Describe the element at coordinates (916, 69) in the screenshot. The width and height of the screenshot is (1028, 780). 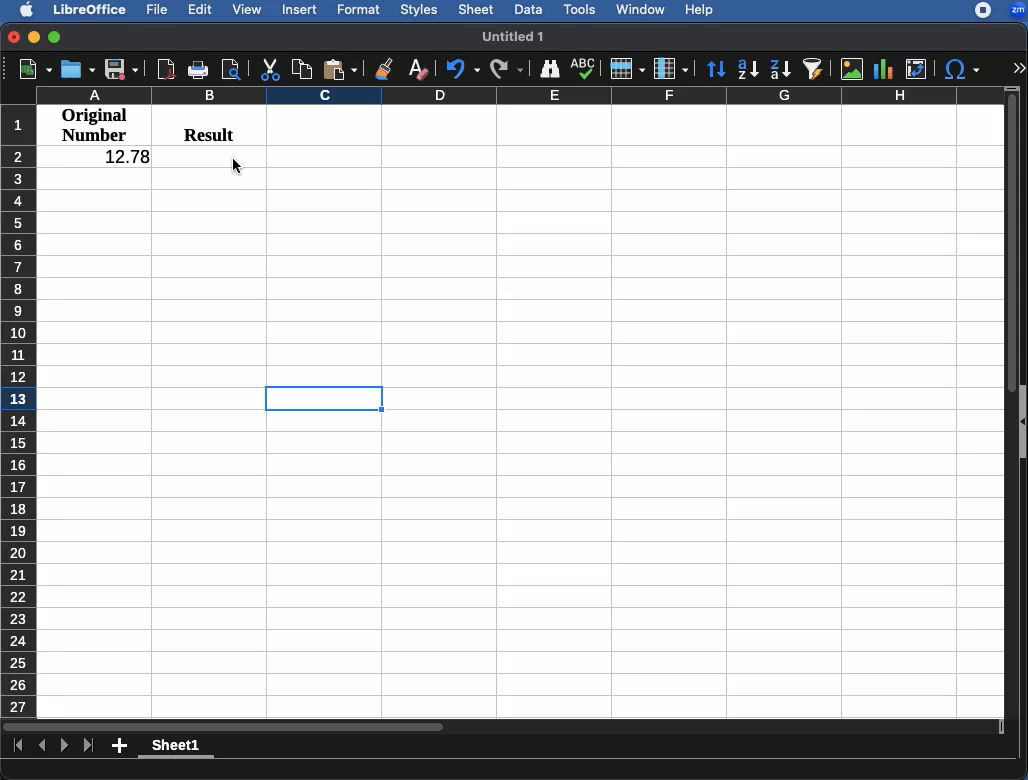
I see `Pivot table` at that location.